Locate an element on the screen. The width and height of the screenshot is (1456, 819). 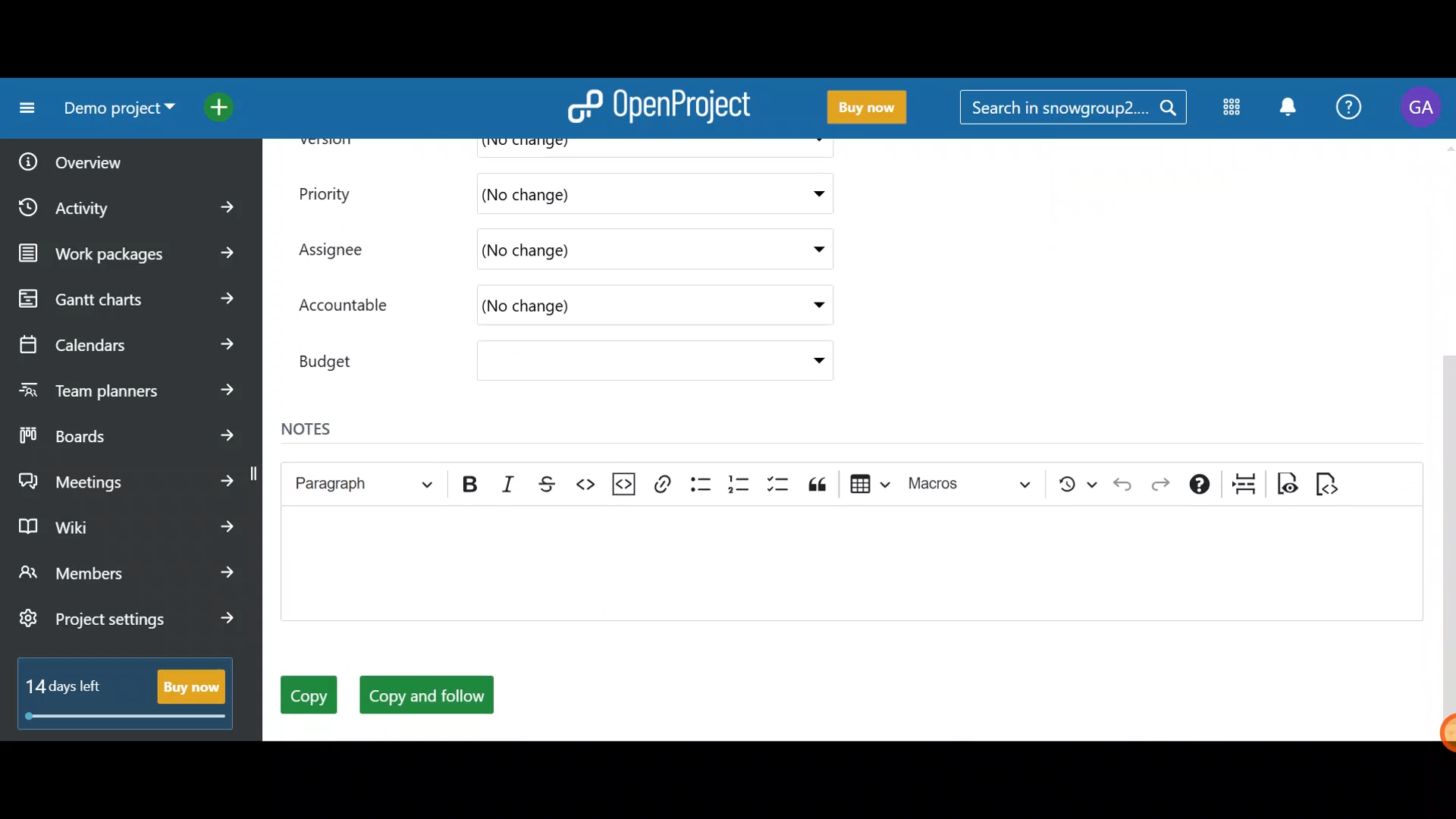
To-do list is located at coordinates (780, 487).